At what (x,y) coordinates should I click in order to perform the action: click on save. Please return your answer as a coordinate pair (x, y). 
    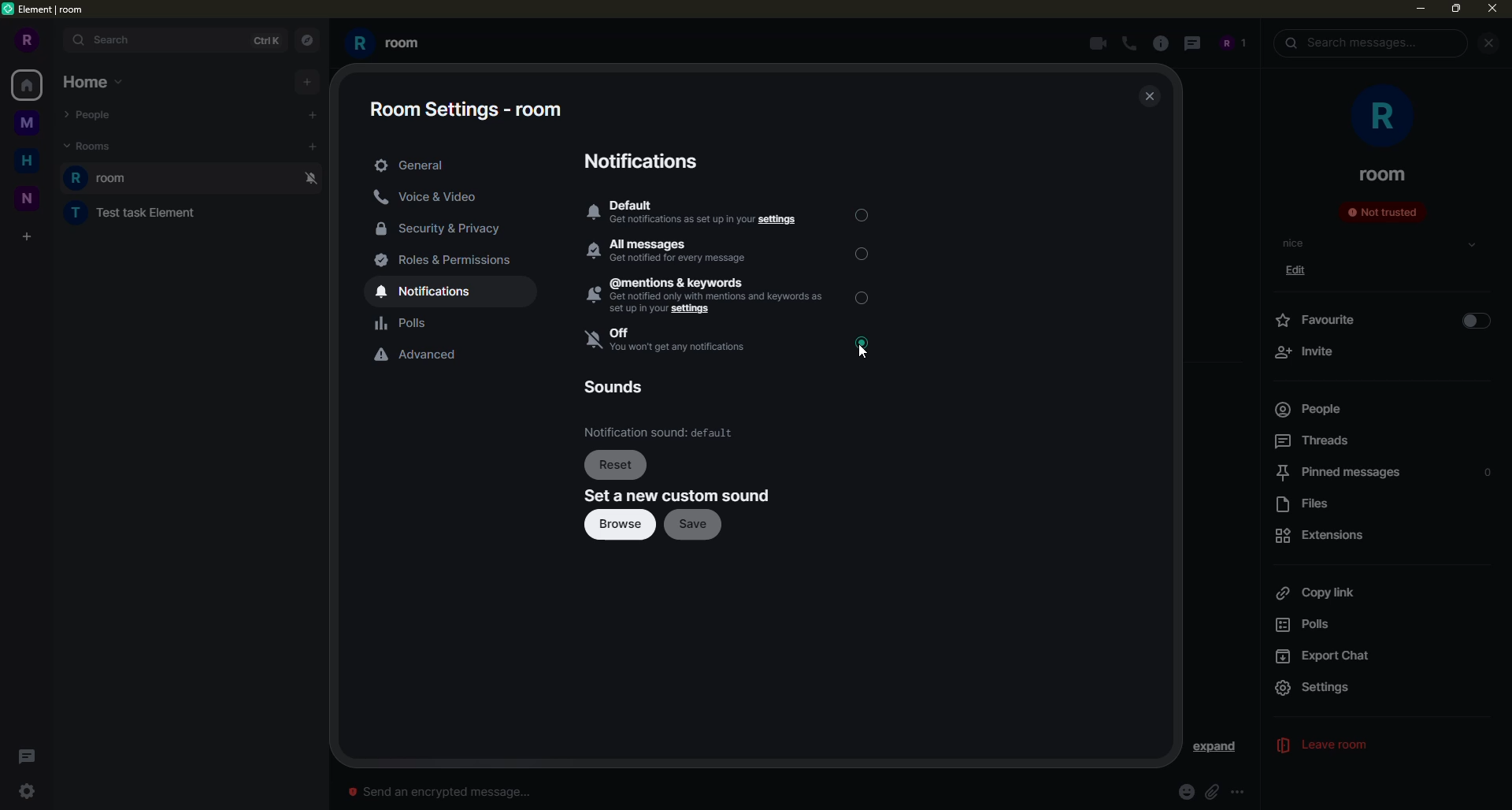
    Looking at the image, I should click on (695, 525).